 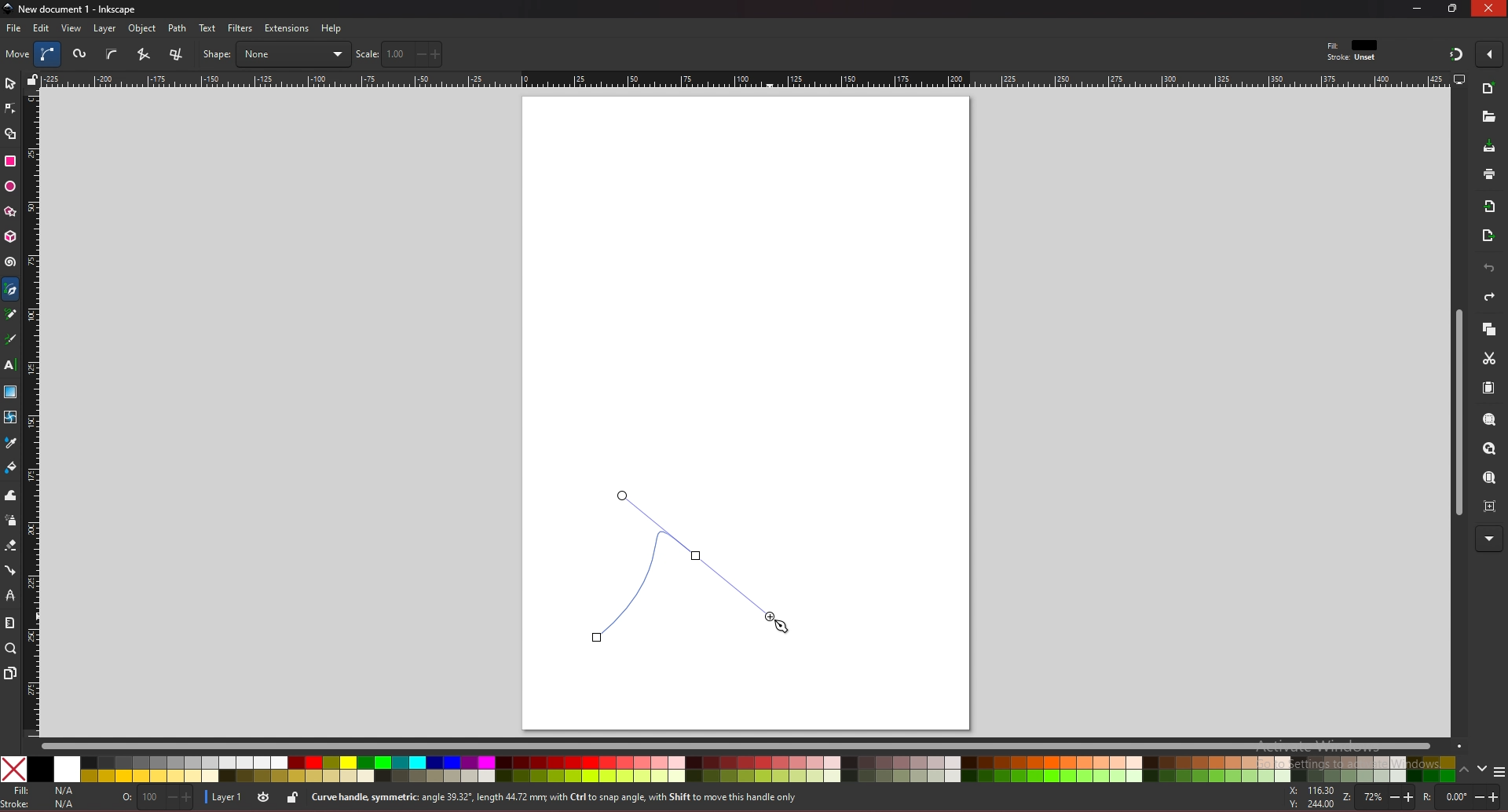 I want to click on import, so click(x=1493, y=207).